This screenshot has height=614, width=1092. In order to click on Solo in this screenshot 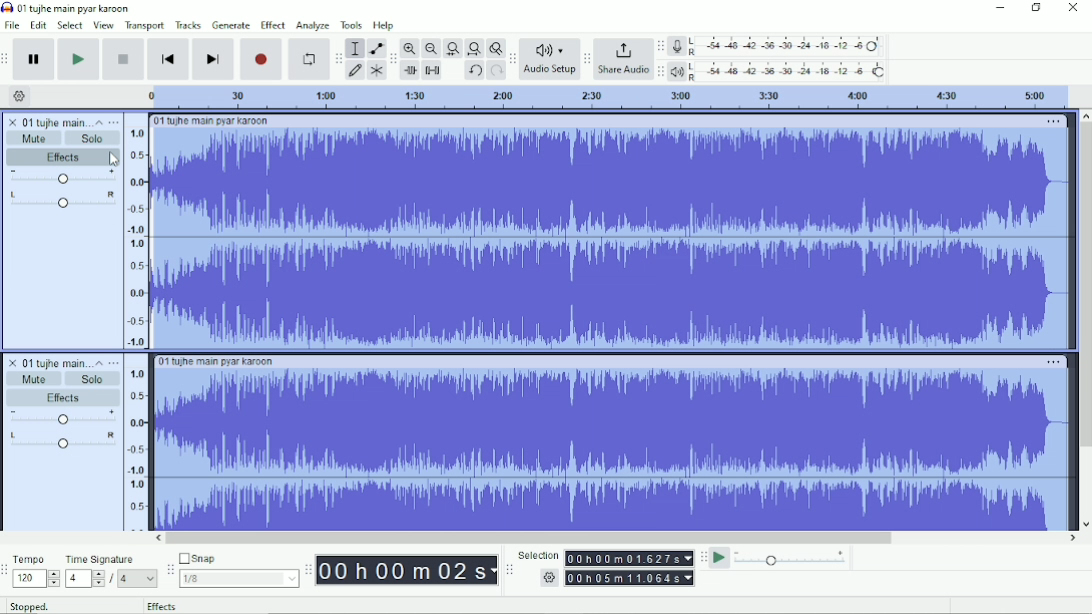, I will do `click(87, 380)`.